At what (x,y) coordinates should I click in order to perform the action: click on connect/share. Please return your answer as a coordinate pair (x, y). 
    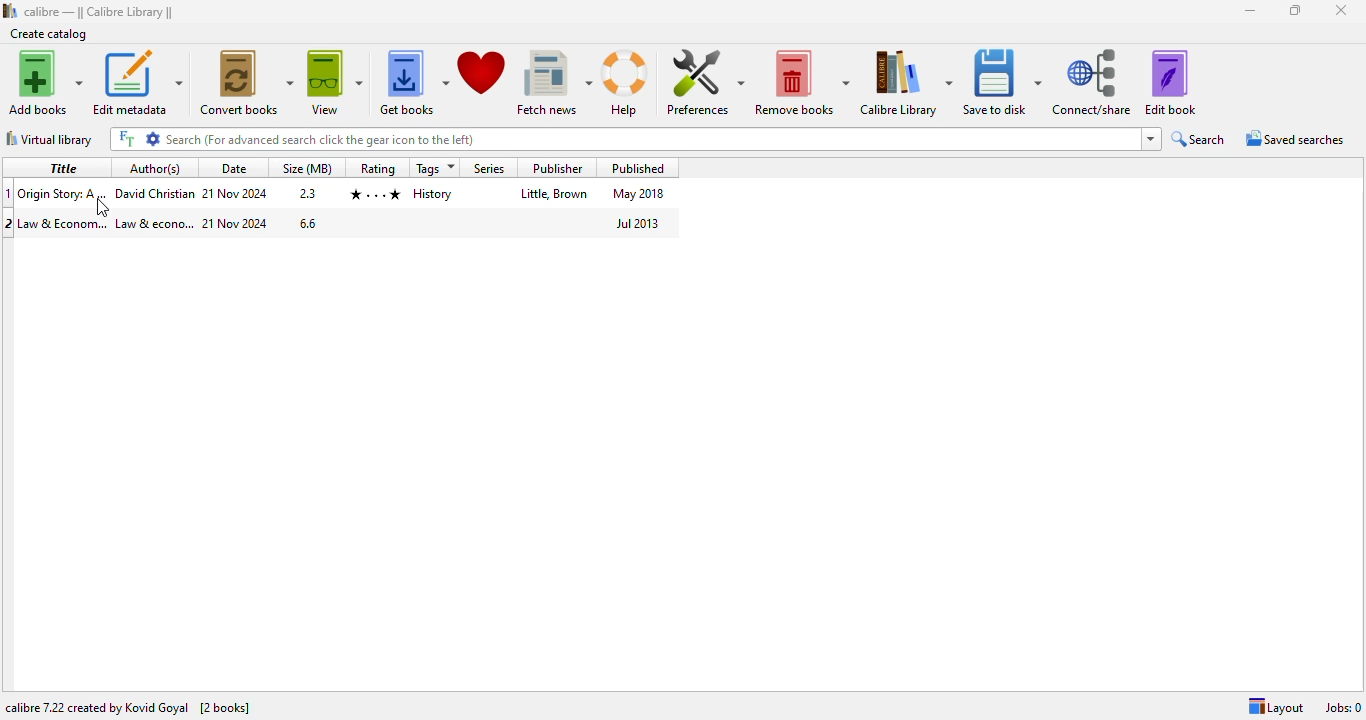
    Looking at the image, I should click on (1094, 82).